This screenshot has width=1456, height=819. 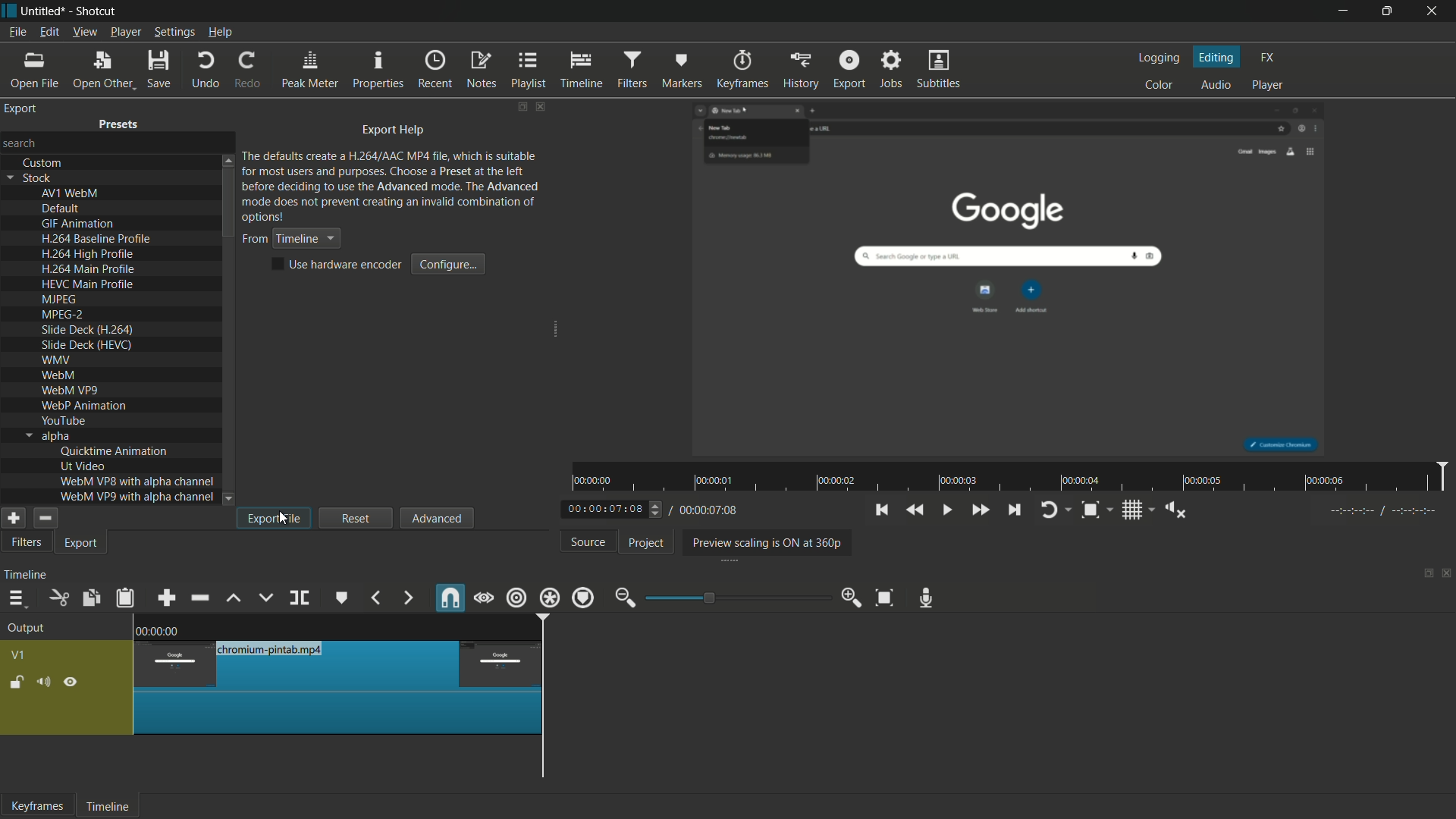 I want to click on preview video, so click(x=1012, y=279).